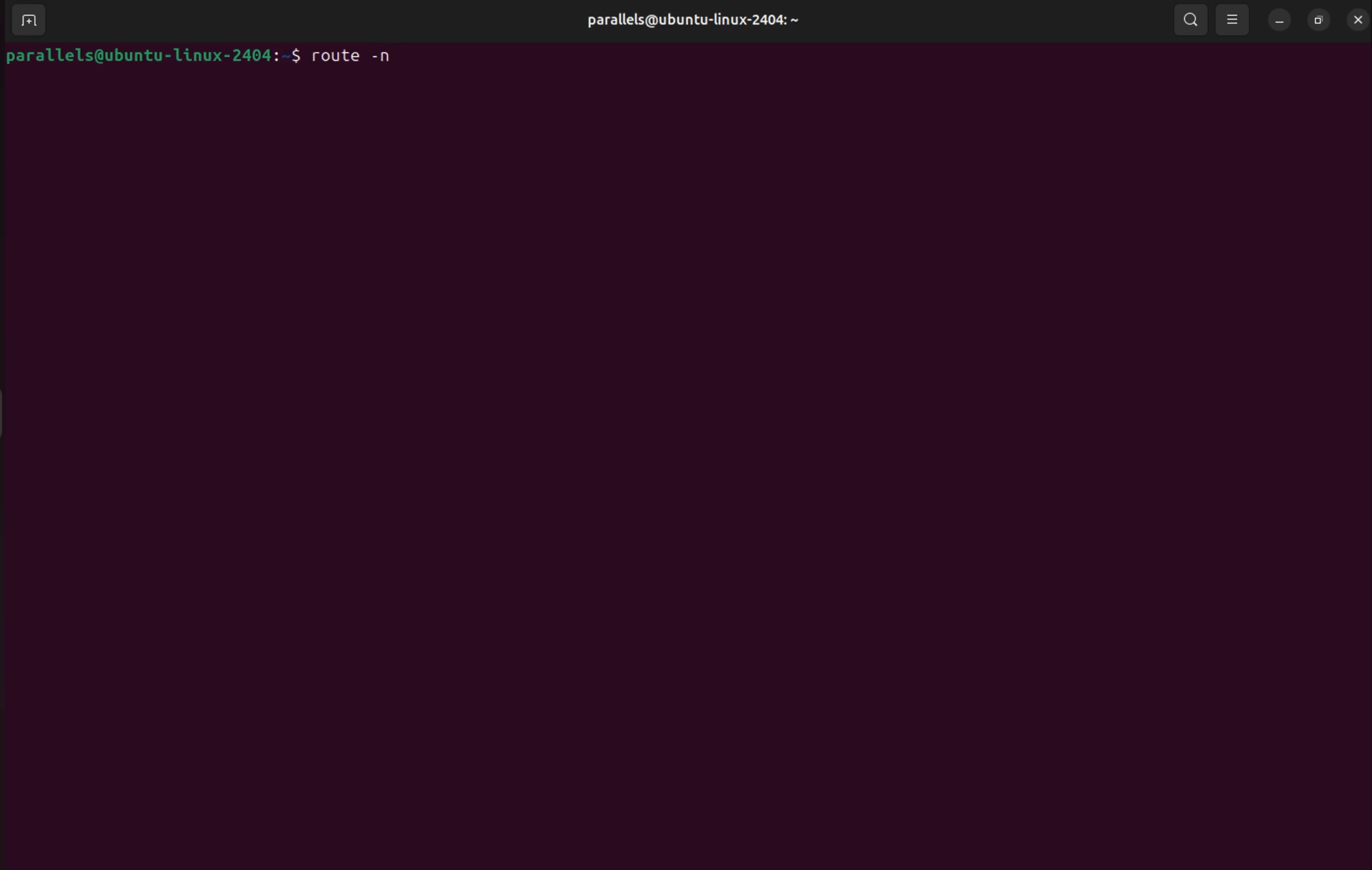 The image size is (1372, 870). Describe the element at coordinates (692, 21) in the screenshot. I see `user profile` at that location.